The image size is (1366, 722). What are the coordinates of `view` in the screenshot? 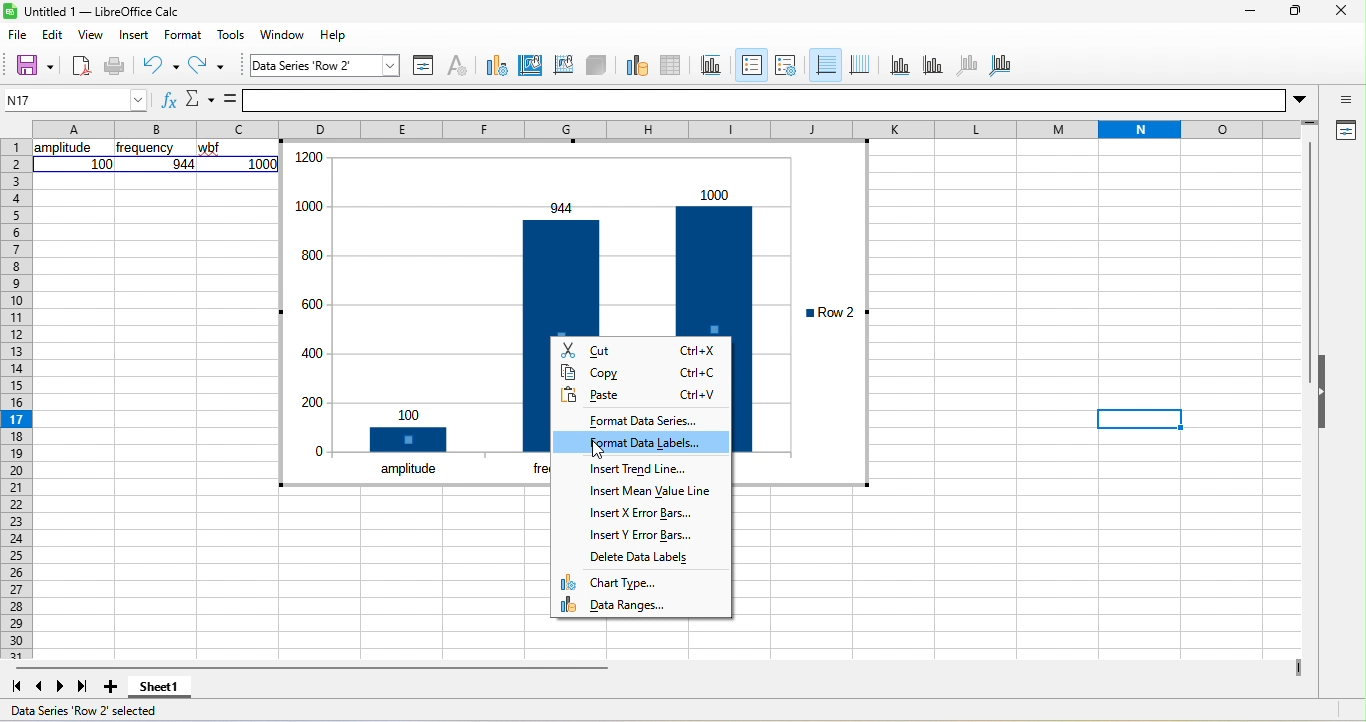 It's located at (94, 33).